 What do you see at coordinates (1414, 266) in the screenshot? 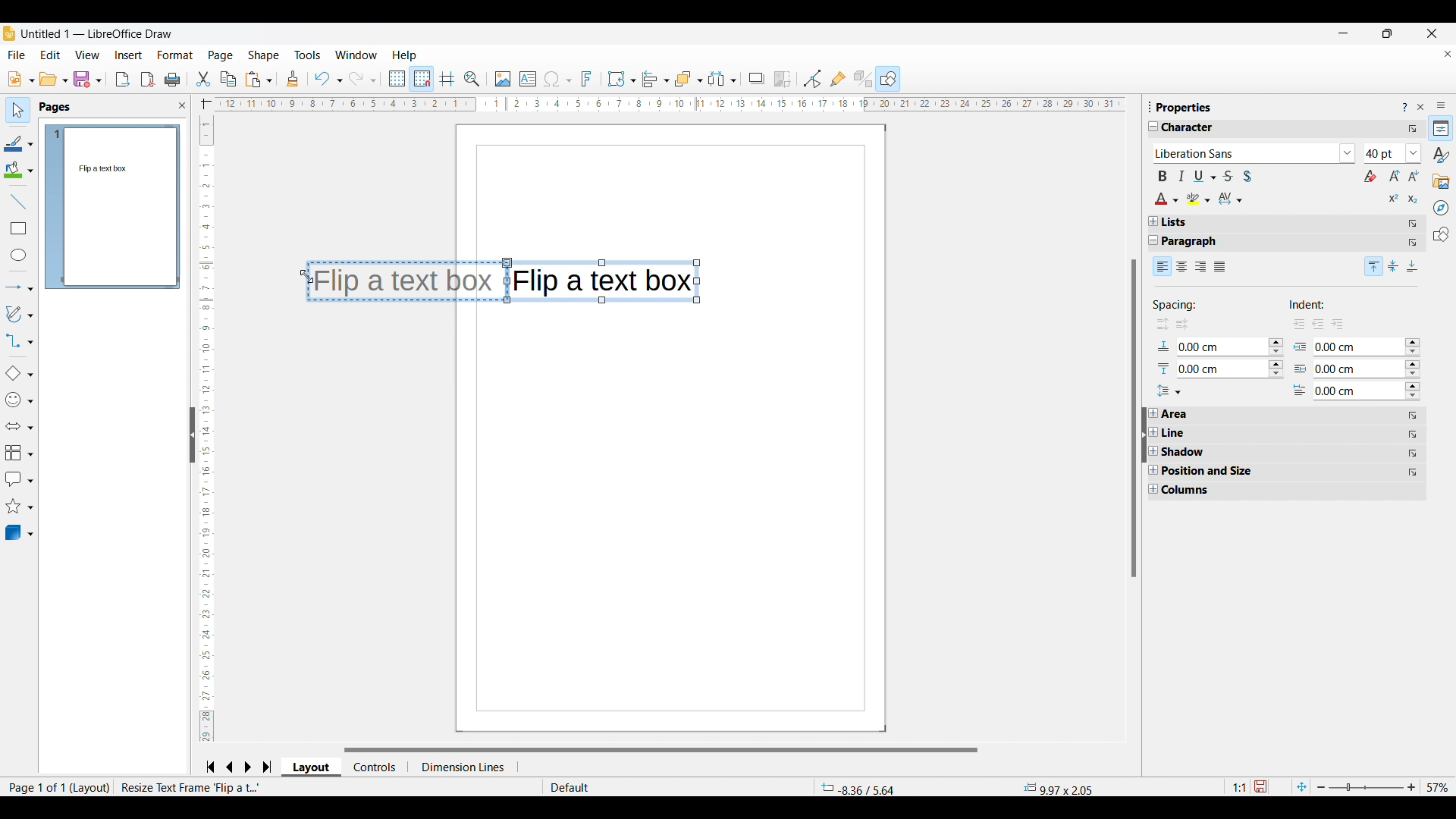
I see `Bottom alignment` at bounding box center [1414, 266].